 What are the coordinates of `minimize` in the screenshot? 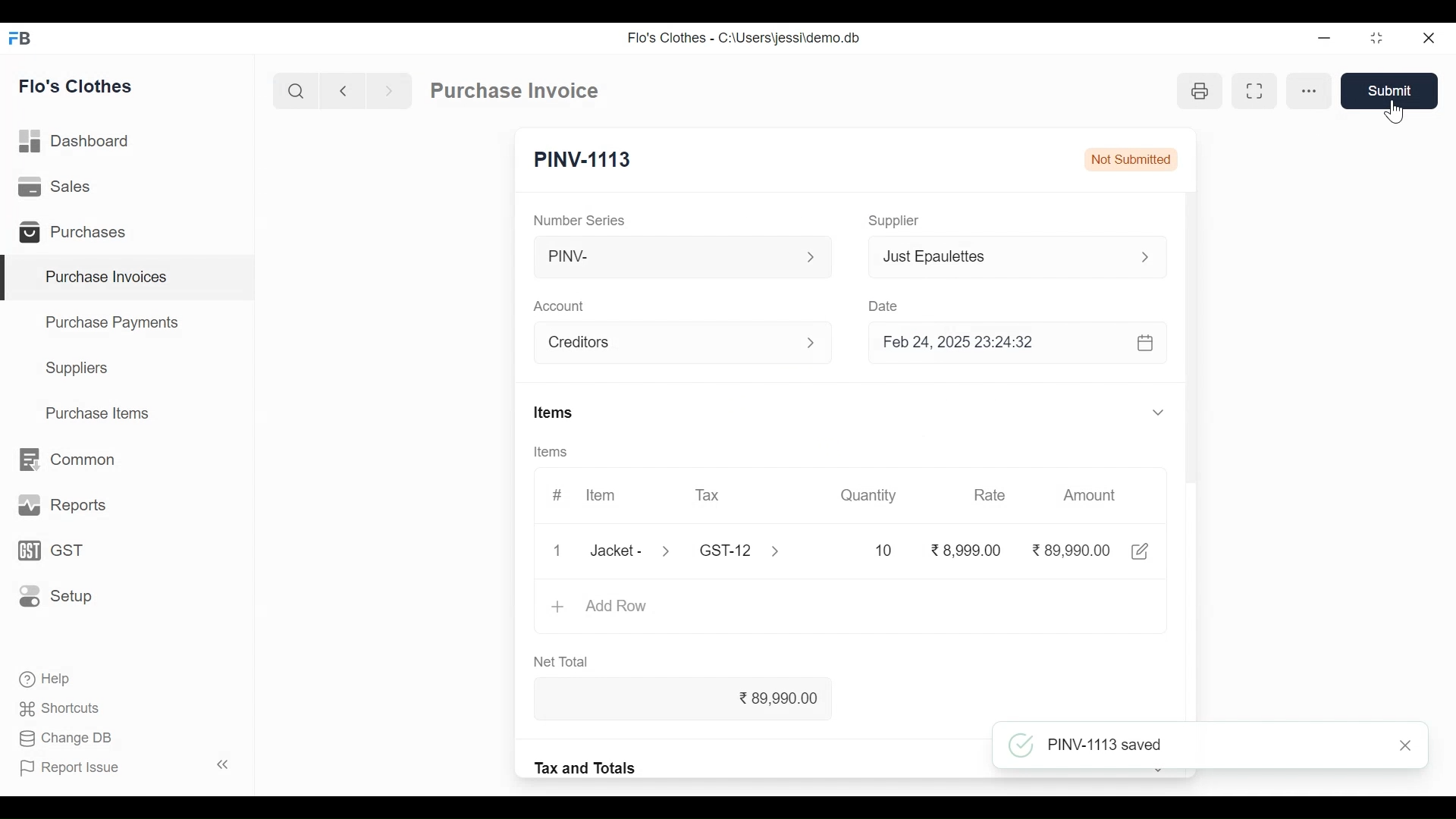 It's located at (1326, 39).